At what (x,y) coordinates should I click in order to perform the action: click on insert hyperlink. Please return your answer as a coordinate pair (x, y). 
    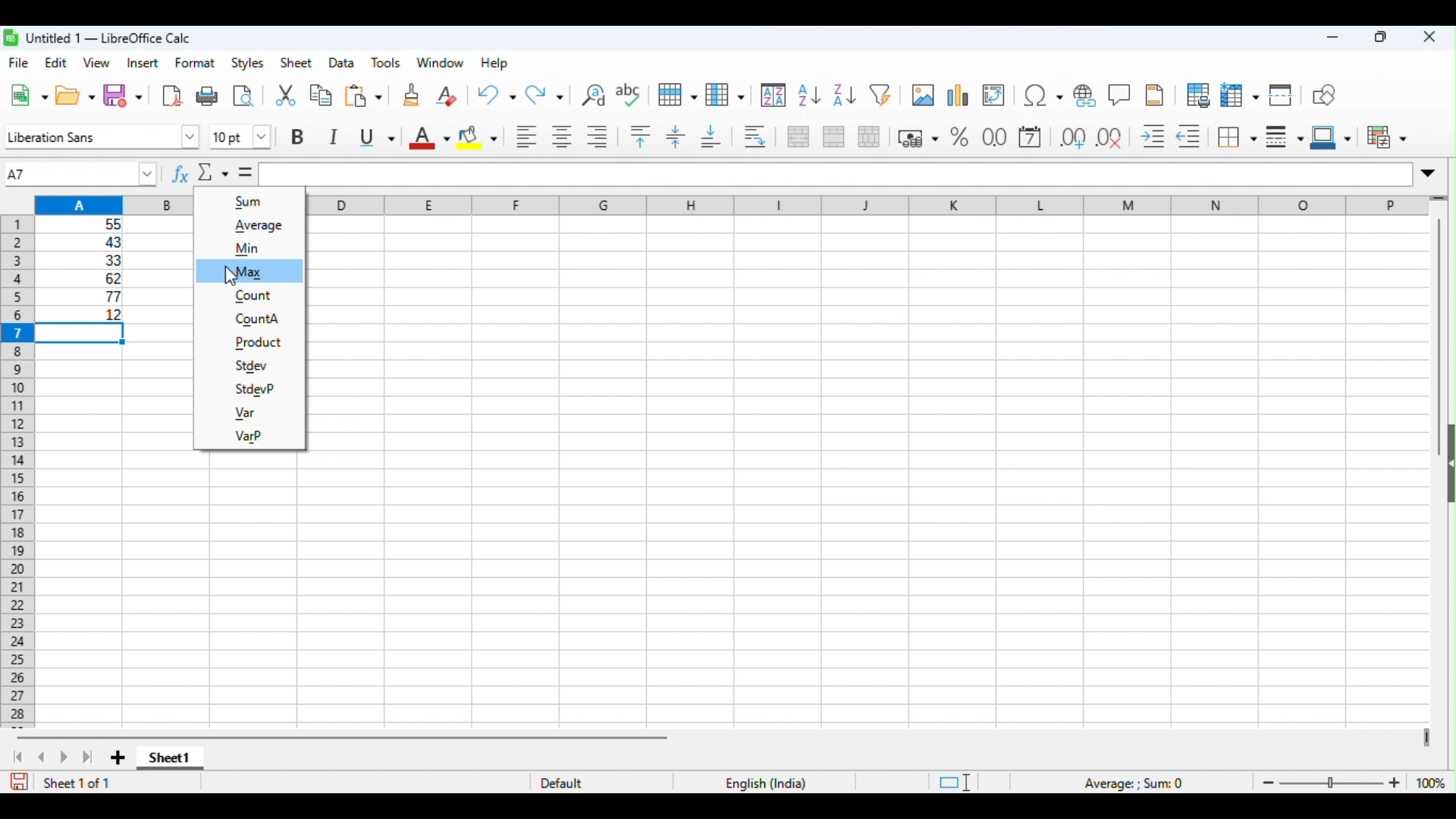
    Looking at the image, I should click on (1087, 93).